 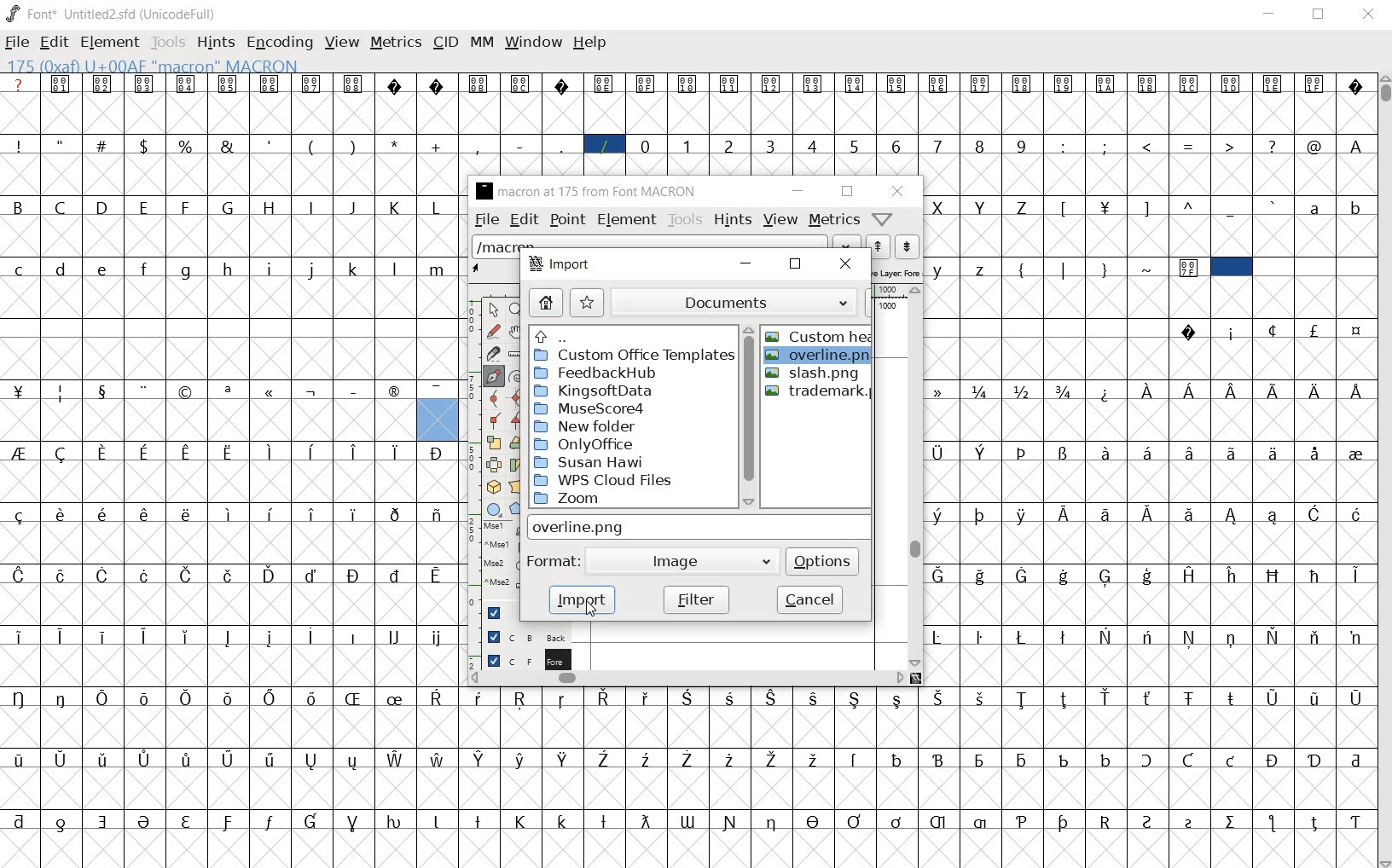 I want to click on Symbol, so click(x=188, y=452).